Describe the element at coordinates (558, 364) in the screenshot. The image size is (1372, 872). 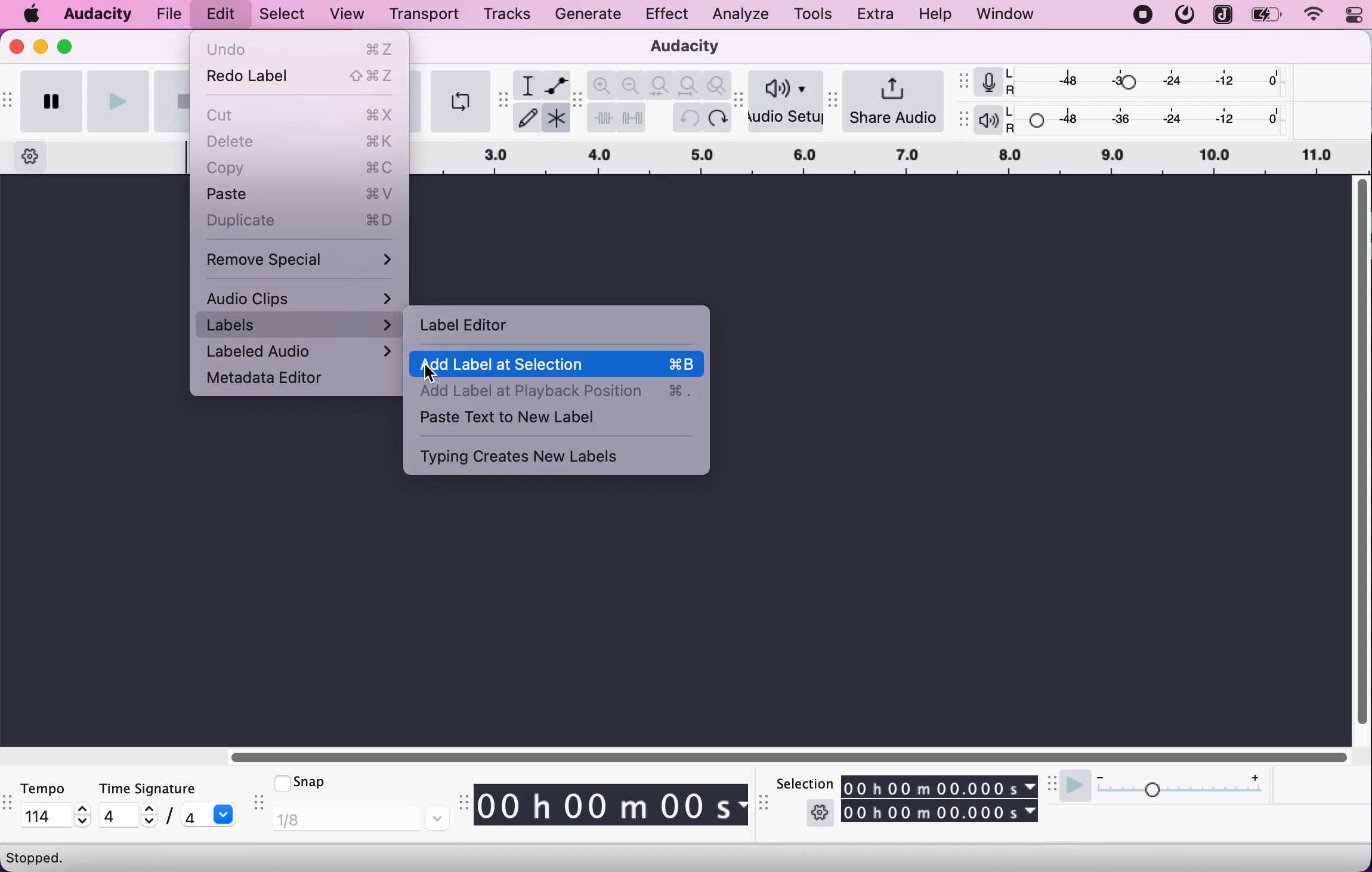
I see `add label at selection` at that location.